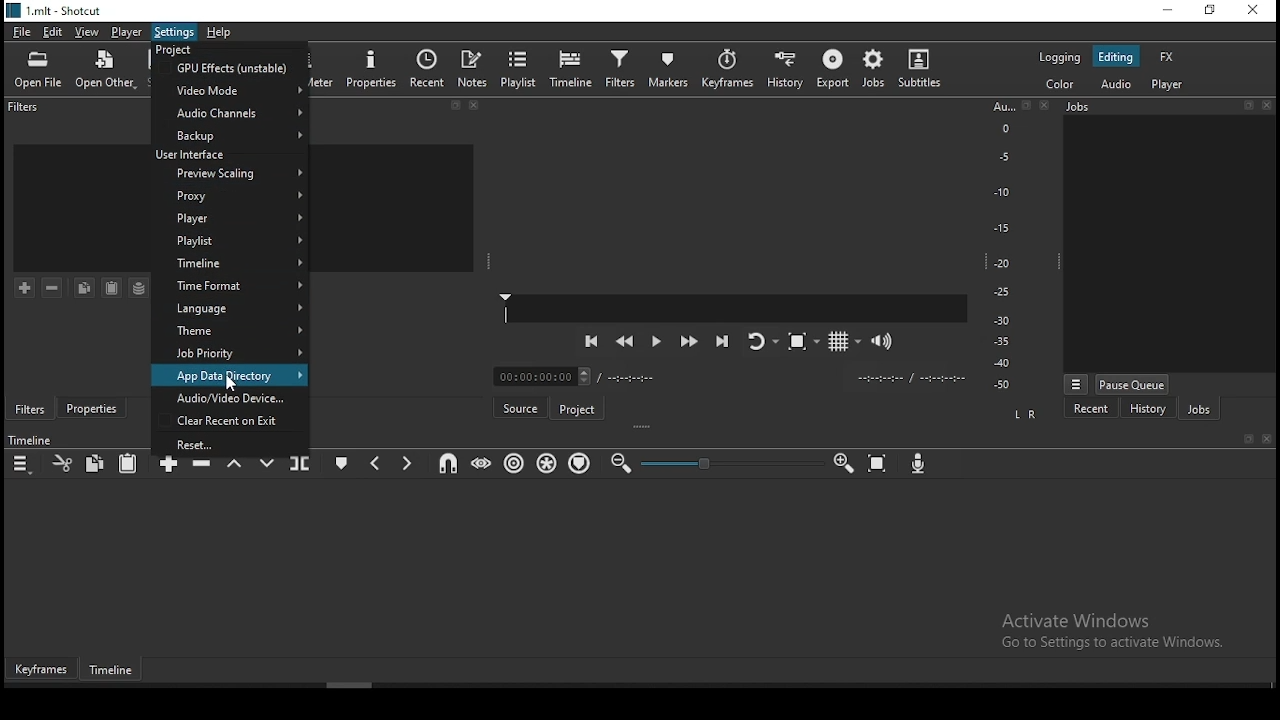 The height and width of the screenshot is (720, 1280). Describe the element at coordinates (230, 310) in the screenshot. I see `language` at that location.